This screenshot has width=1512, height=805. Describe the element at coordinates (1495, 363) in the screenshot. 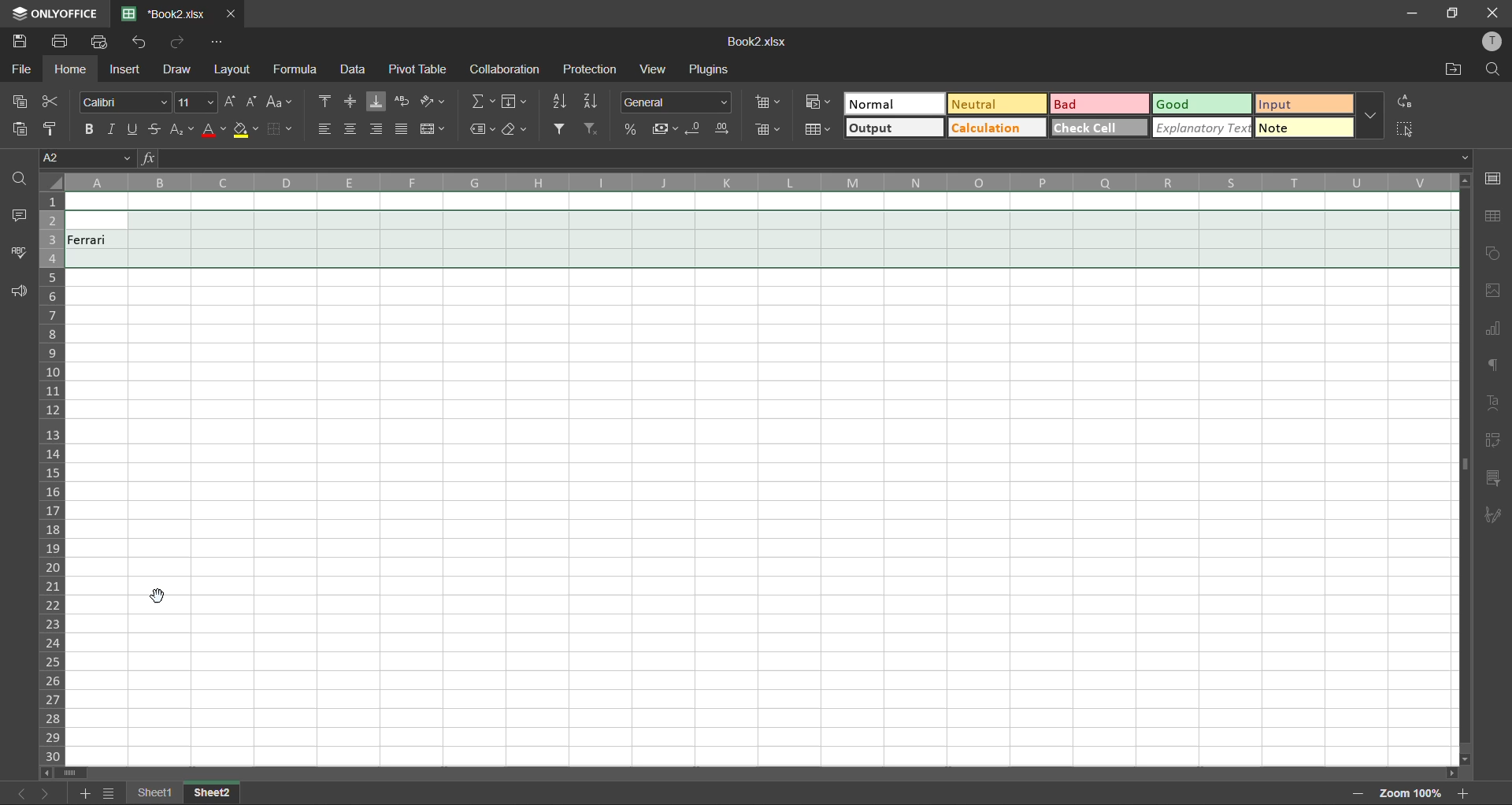

I see `paragraph` at that location.